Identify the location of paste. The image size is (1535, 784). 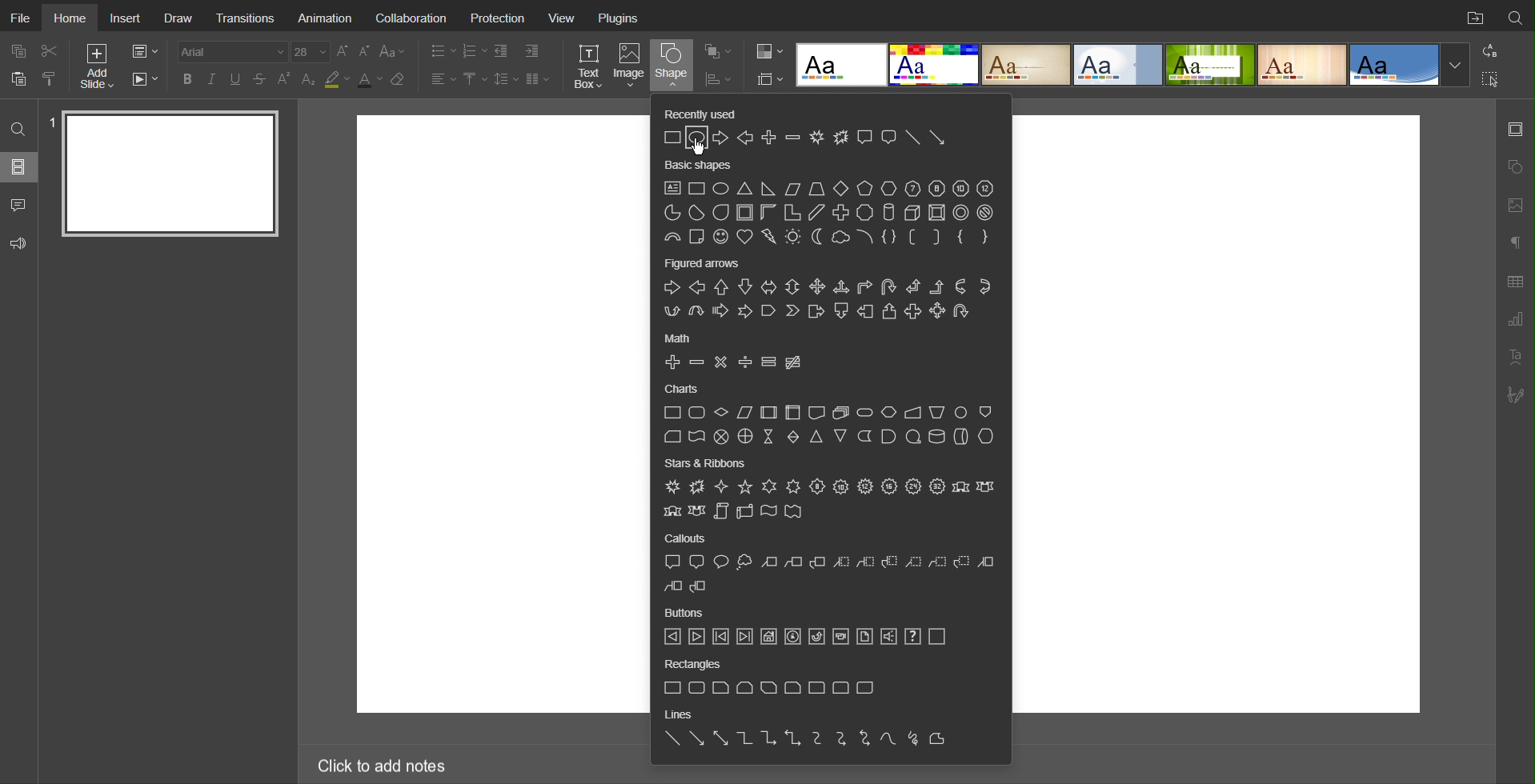
(21, 78).